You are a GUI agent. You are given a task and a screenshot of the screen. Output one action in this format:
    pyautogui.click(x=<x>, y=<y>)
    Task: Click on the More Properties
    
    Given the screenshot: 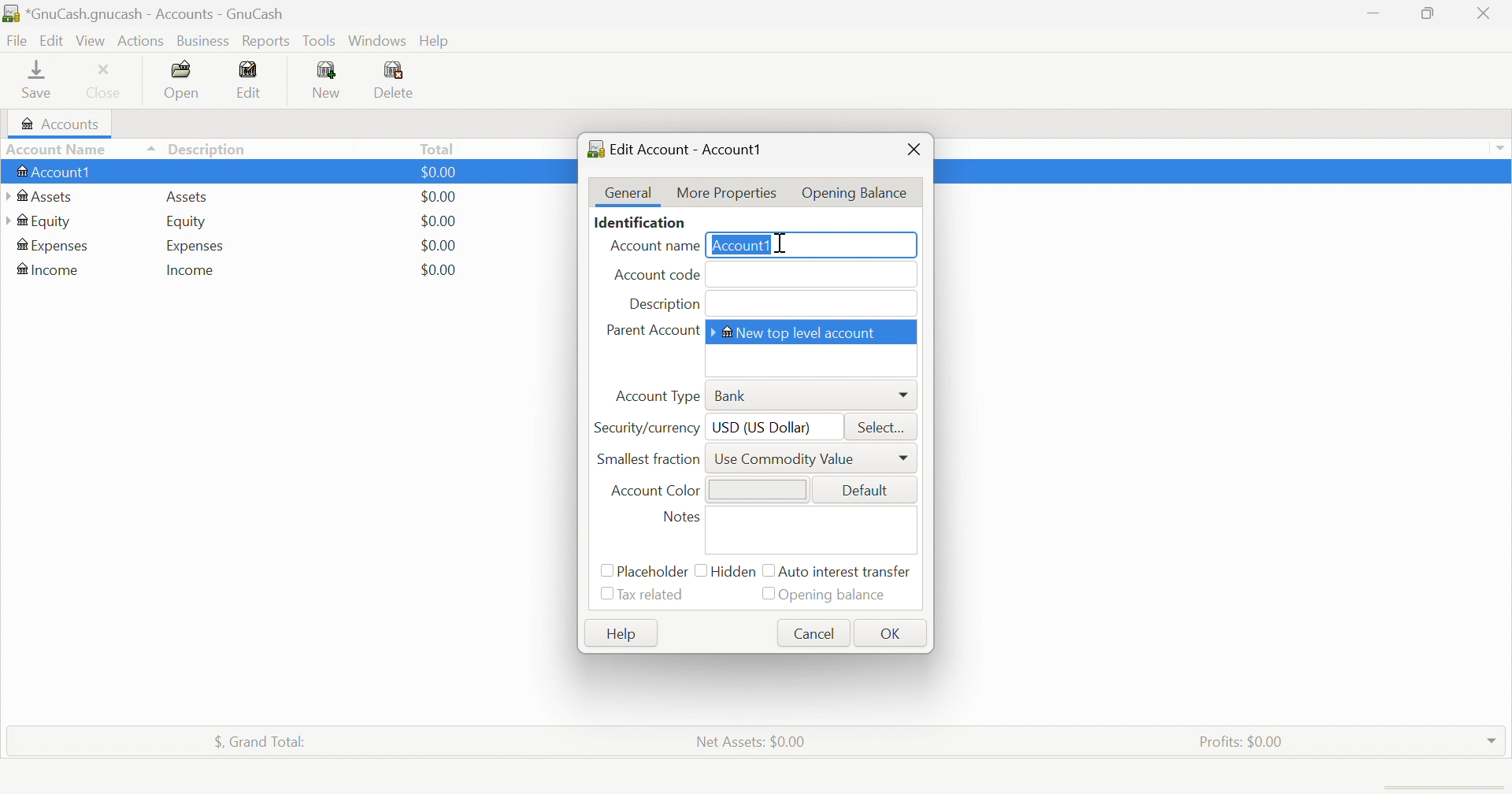 What is the action you would take?
    pyautogui.click(x=726, y=195)
    